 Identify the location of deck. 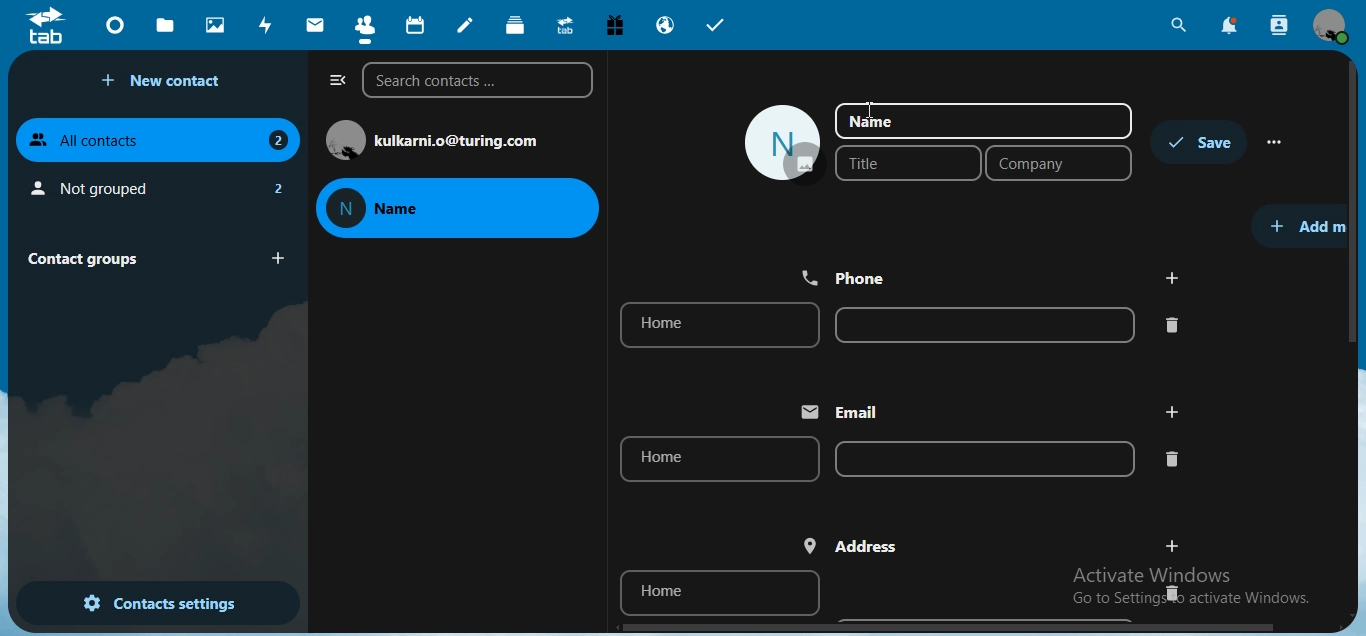
(518, 26).